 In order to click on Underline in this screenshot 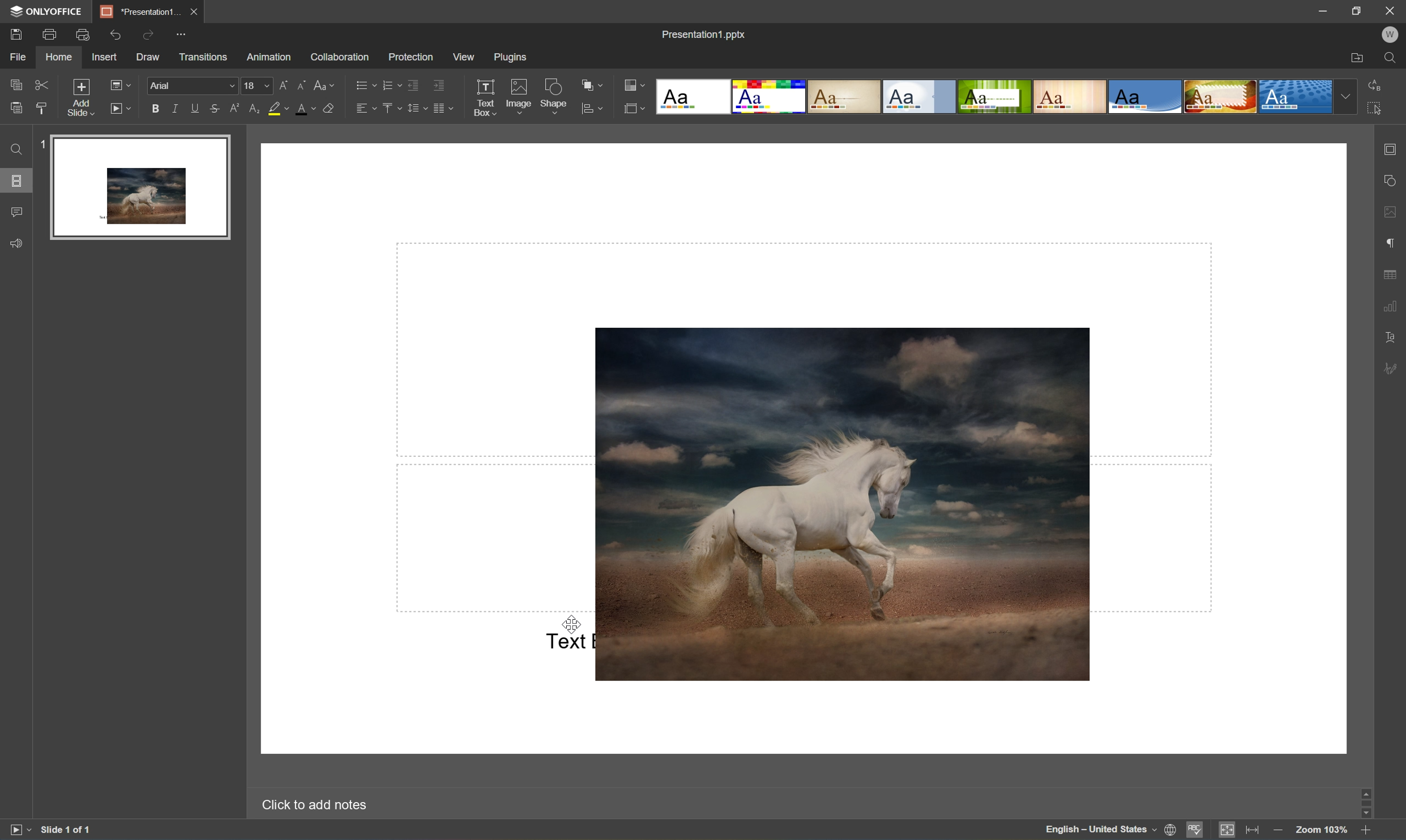, I will do `click(194, 109)`.